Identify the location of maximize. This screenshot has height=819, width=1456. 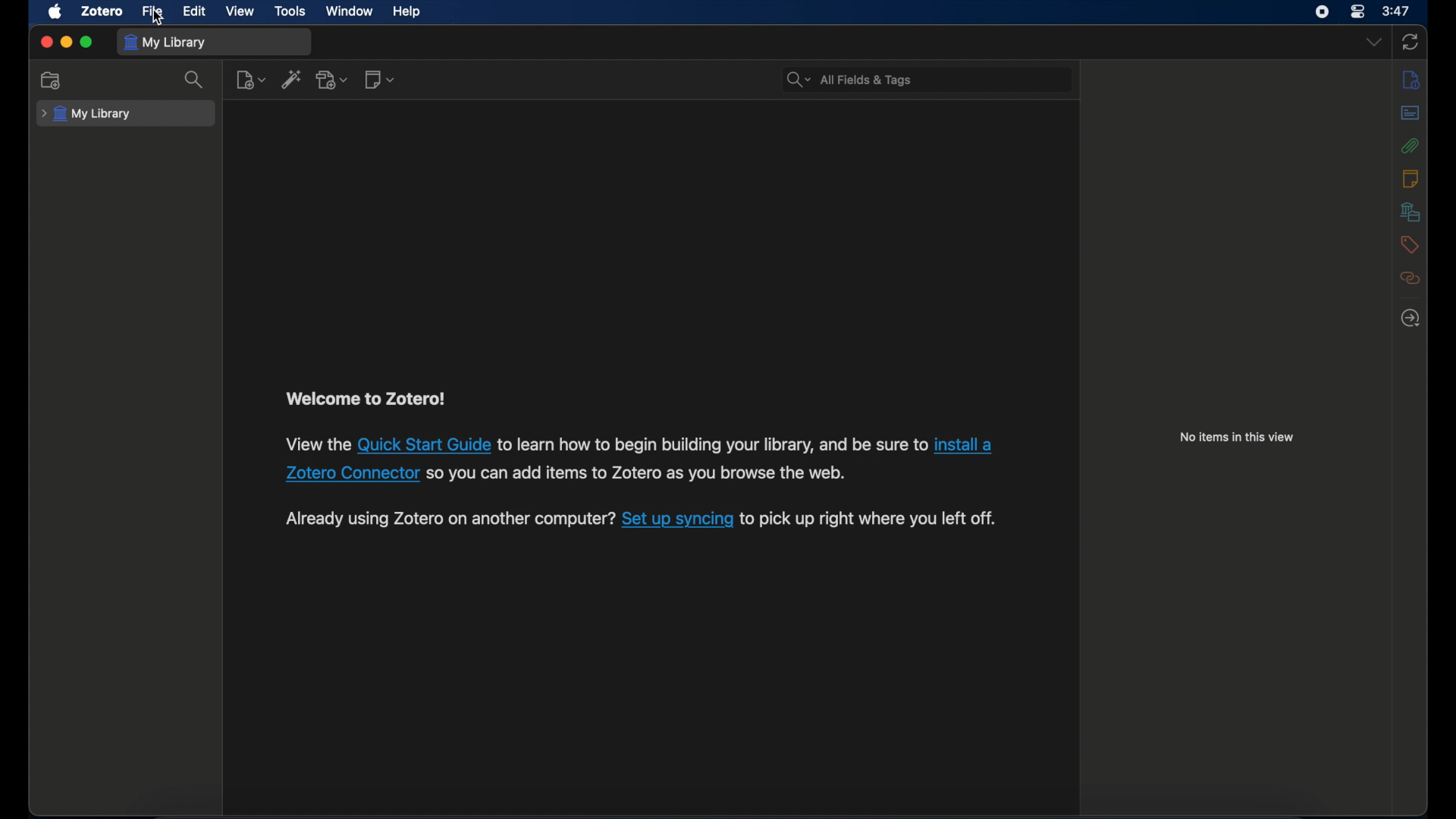
(87, 42).